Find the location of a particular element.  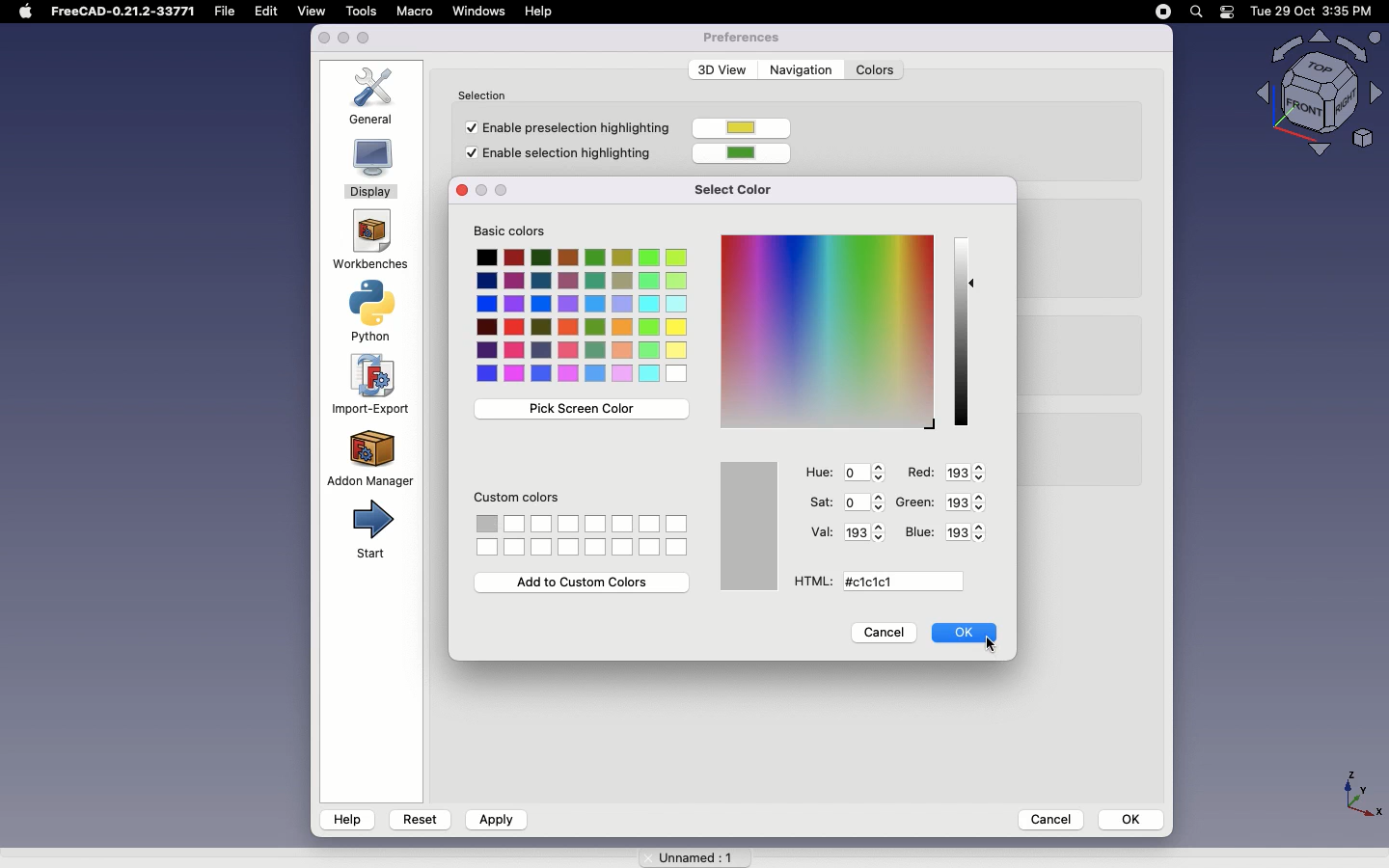

Val is located at coordinates (821, 530).